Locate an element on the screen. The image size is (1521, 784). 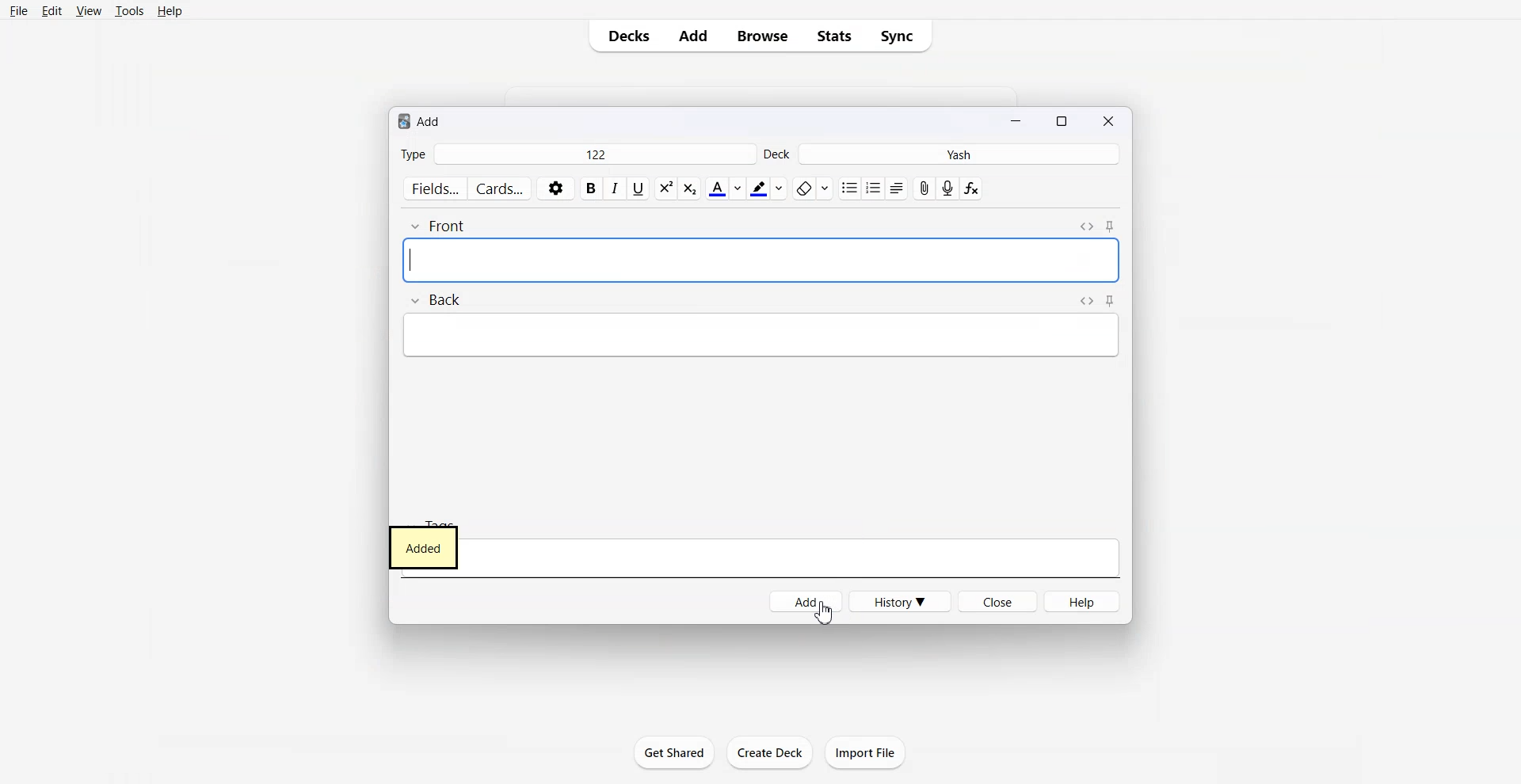
Front is located at coordinates (436, 226).